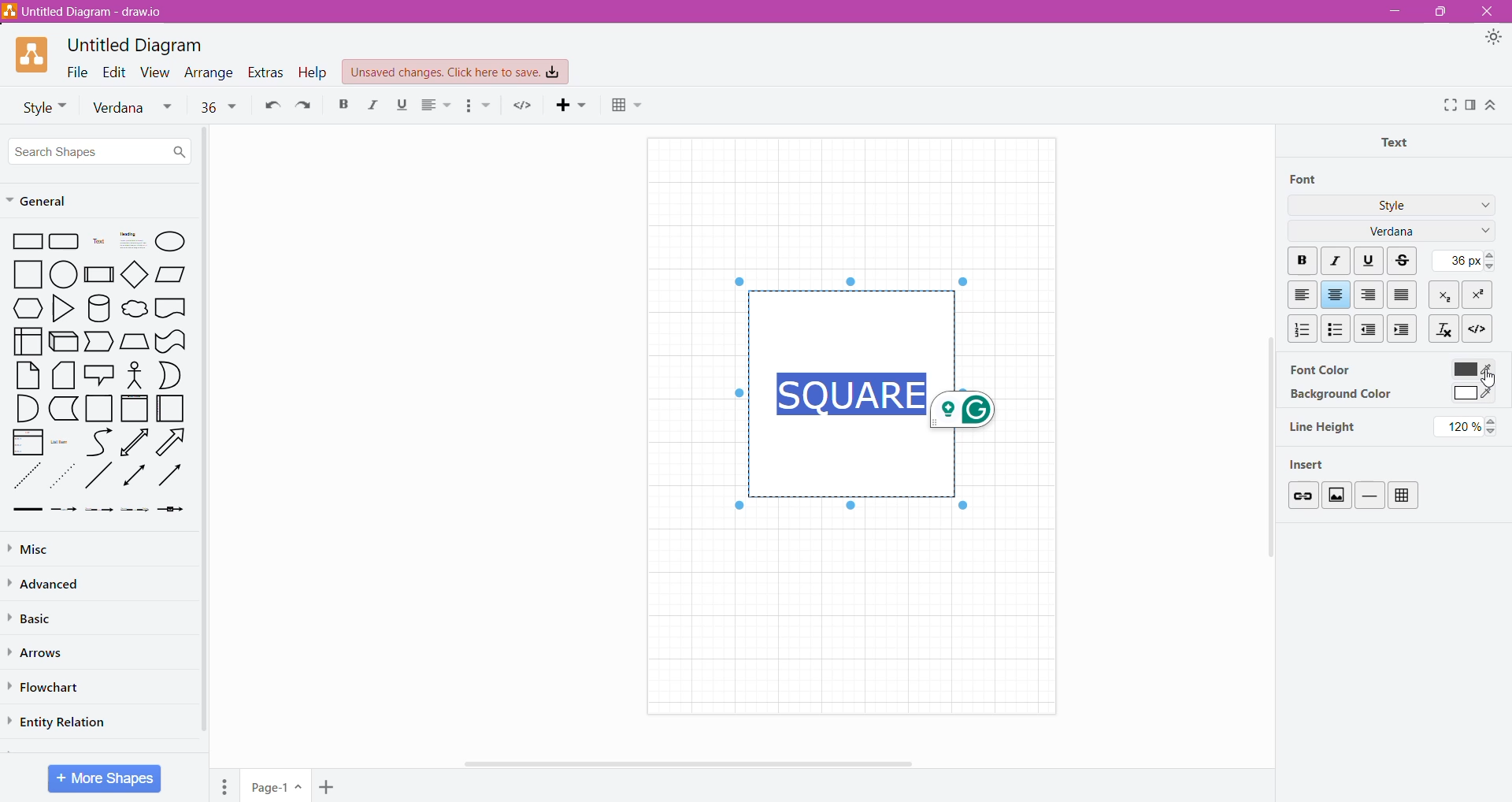  Describe the element at coordinates (1370, 495) in the screenshot. I see `Insert Horizontal Line` at that location.